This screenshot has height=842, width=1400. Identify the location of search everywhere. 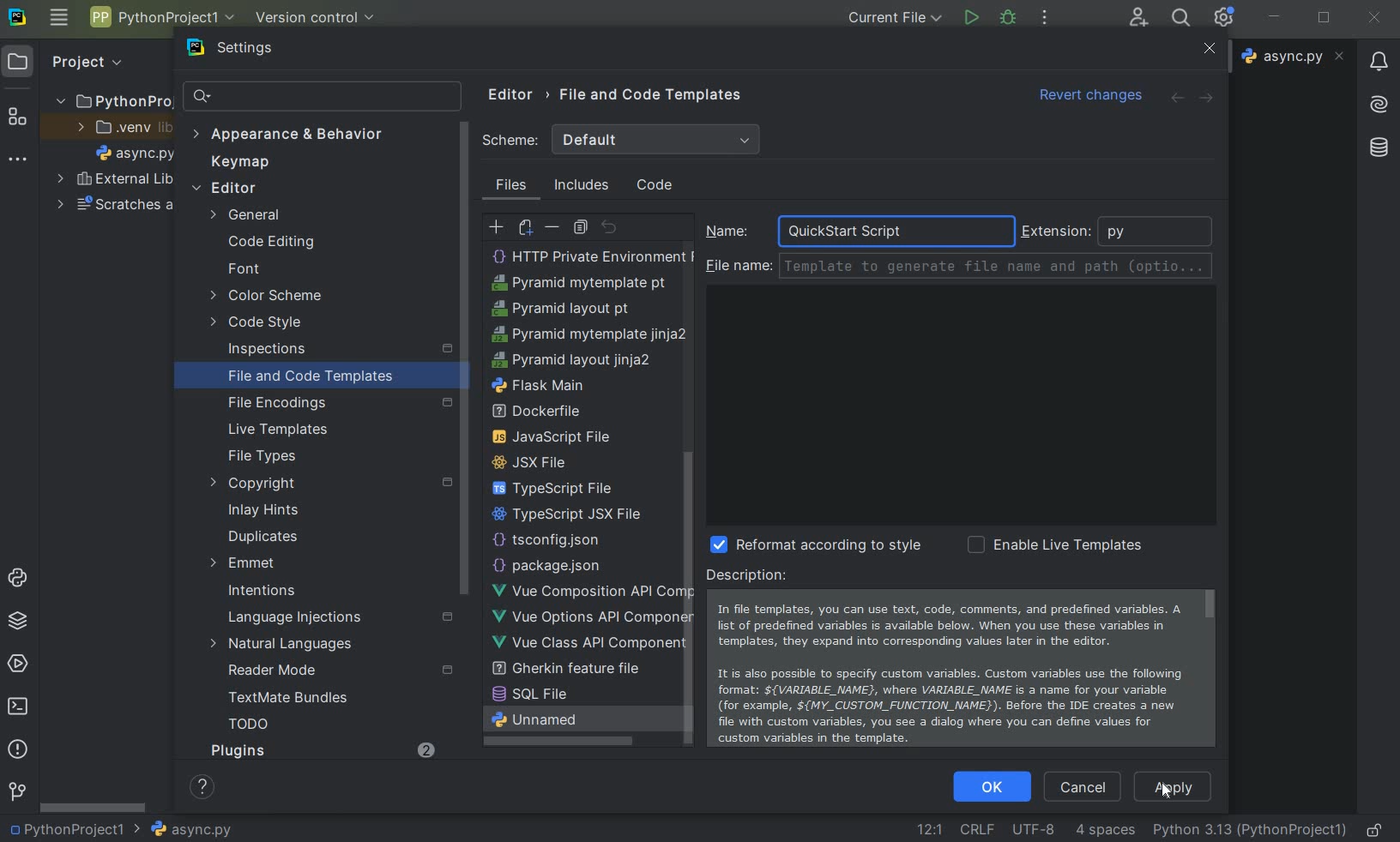
(1181, 19).